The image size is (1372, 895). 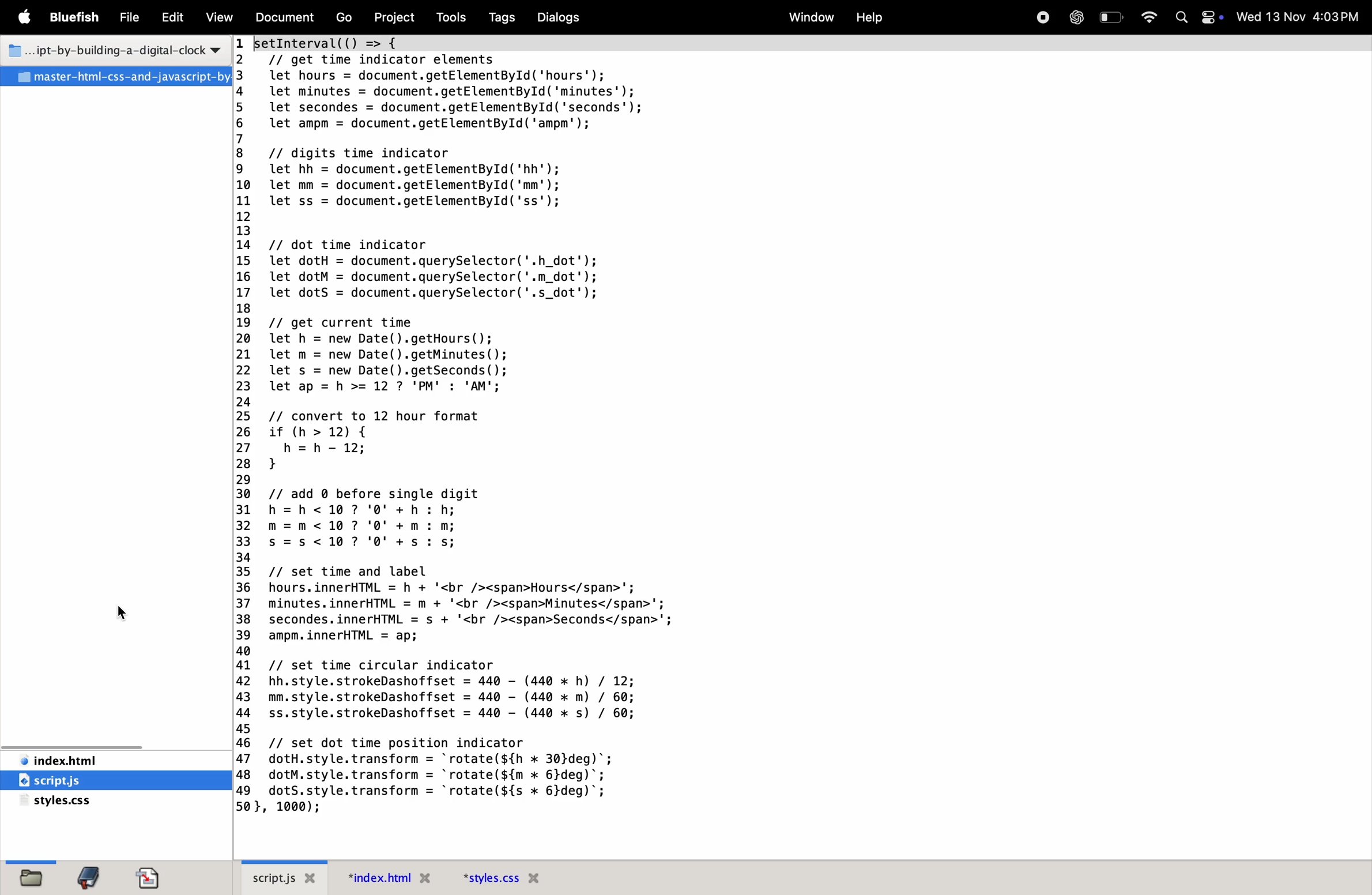 What do you see at coordinates (1113, 17) in the screenshot?
I see `battery` at bounding box center [1113, 17].